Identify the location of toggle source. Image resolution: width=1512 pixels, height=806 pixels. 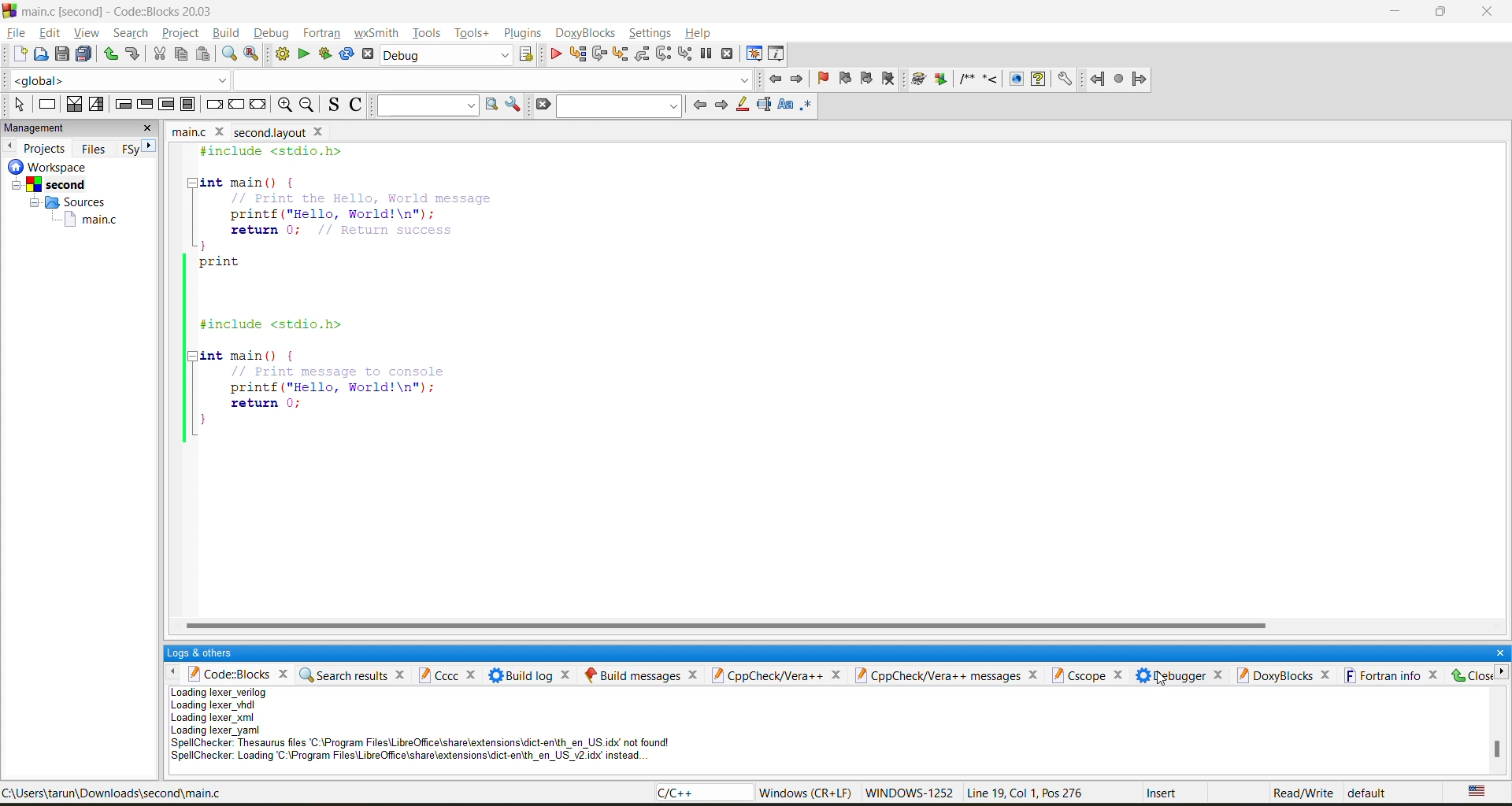
(331, 106).